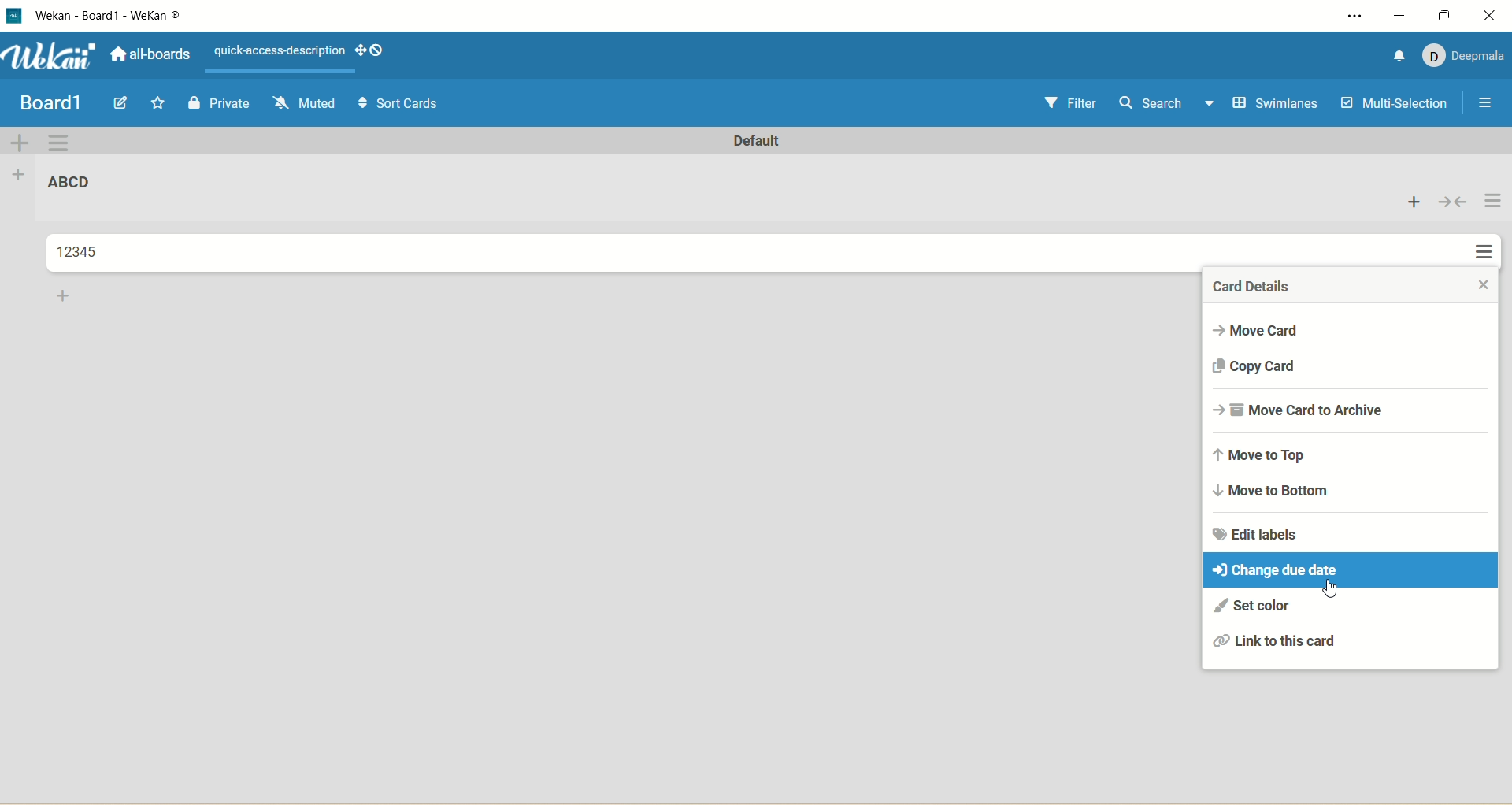  I want to click on text, so click(280, 51).